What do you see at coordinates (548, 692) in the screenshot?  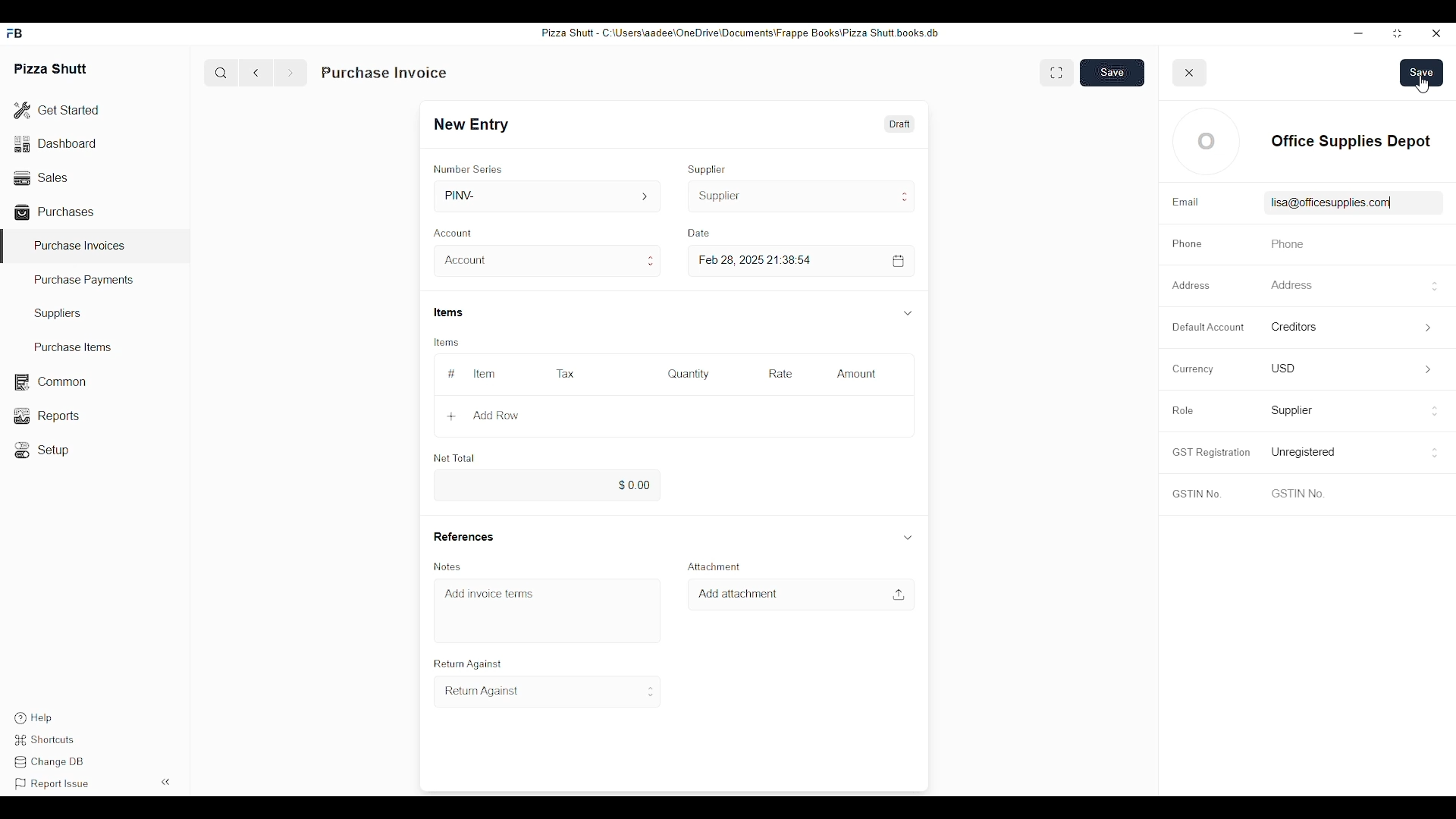 I see `Return Against ` at bounding box center [548, 692].